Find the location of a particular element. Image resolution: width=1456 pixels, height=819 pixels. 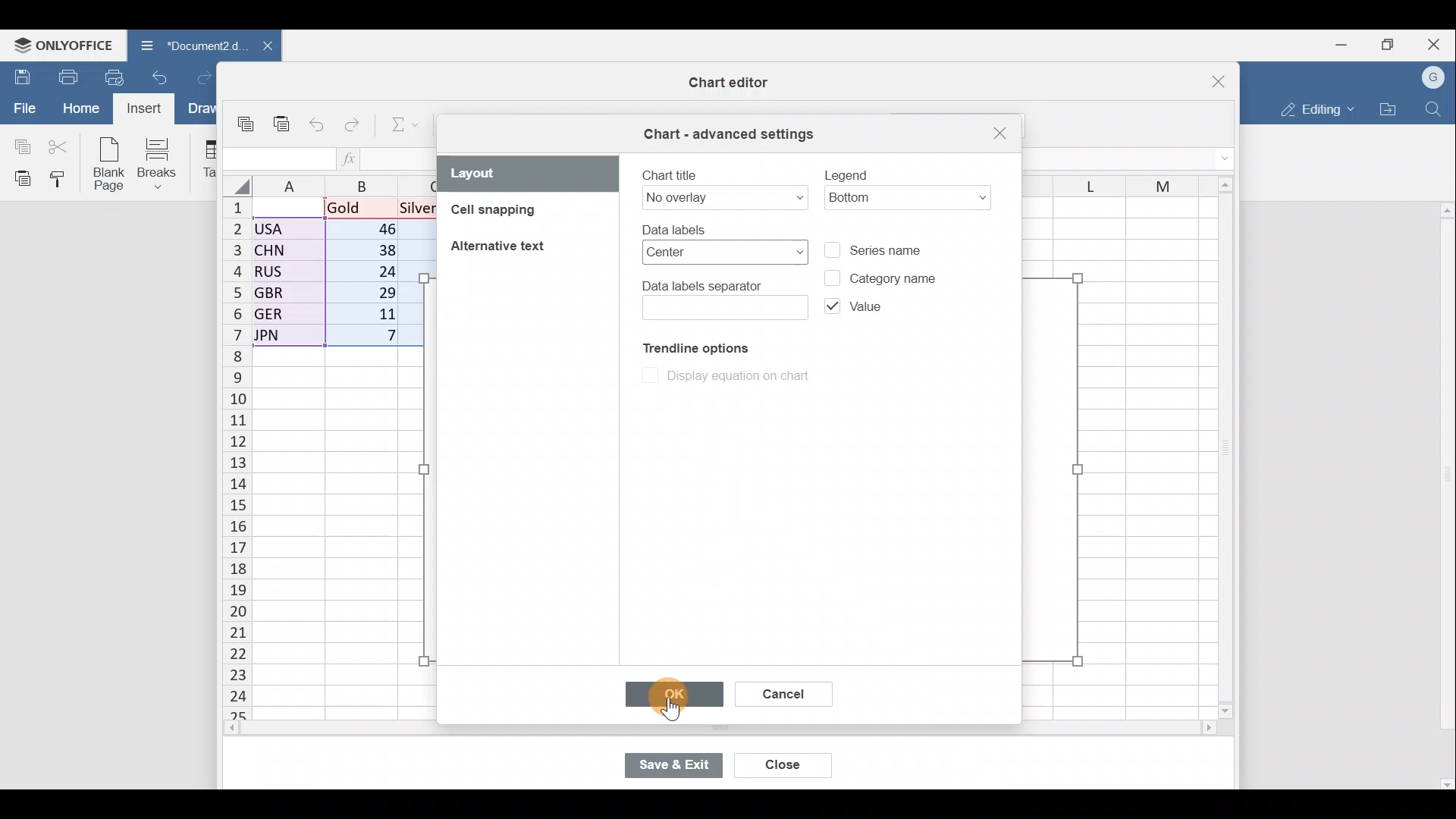

Scroll bar is located at coordinates (1442, 490).